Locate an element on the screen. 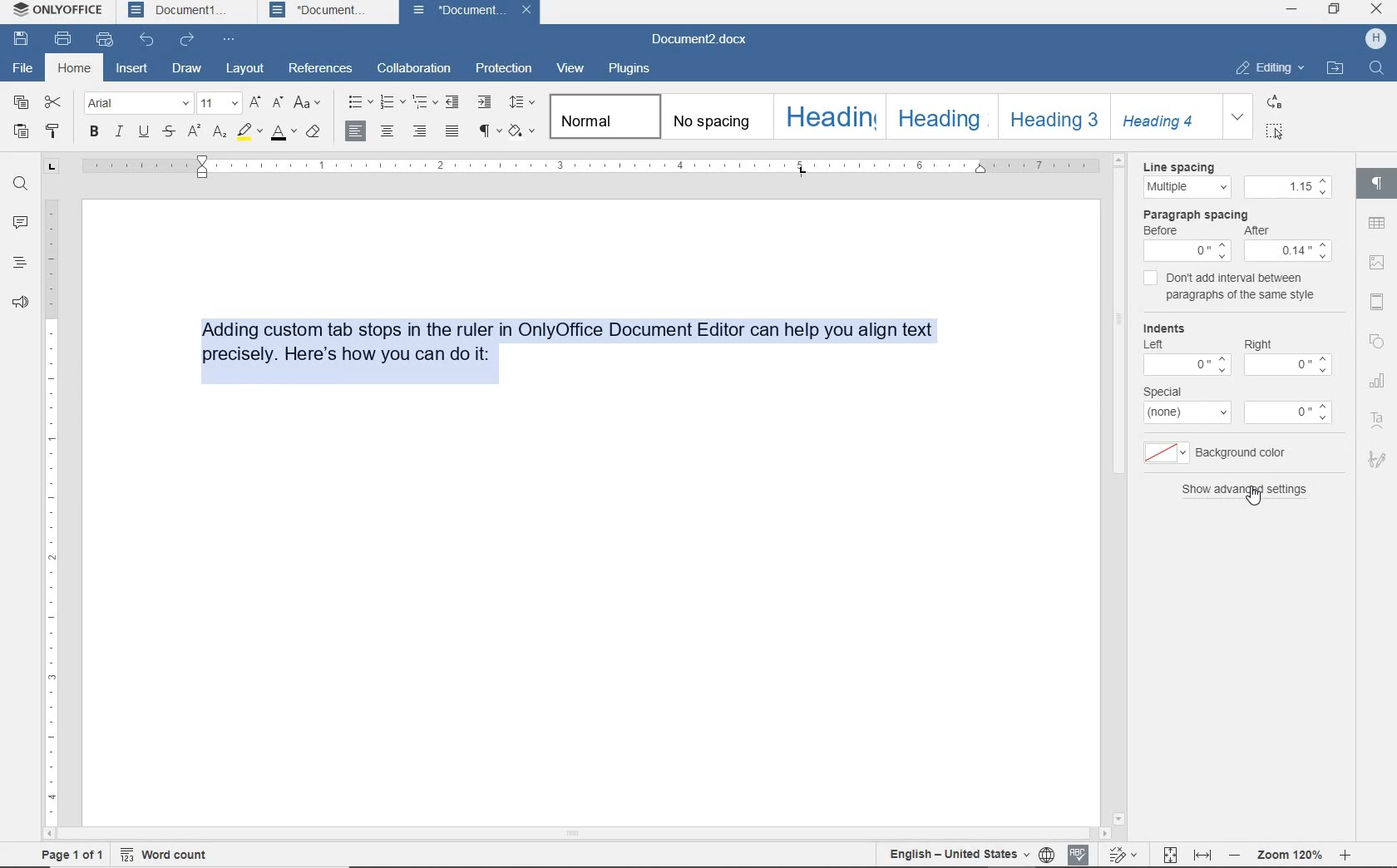 The height and width of the screenshot is (868, 1397). checkbox is located at coordinates (1148, 279).